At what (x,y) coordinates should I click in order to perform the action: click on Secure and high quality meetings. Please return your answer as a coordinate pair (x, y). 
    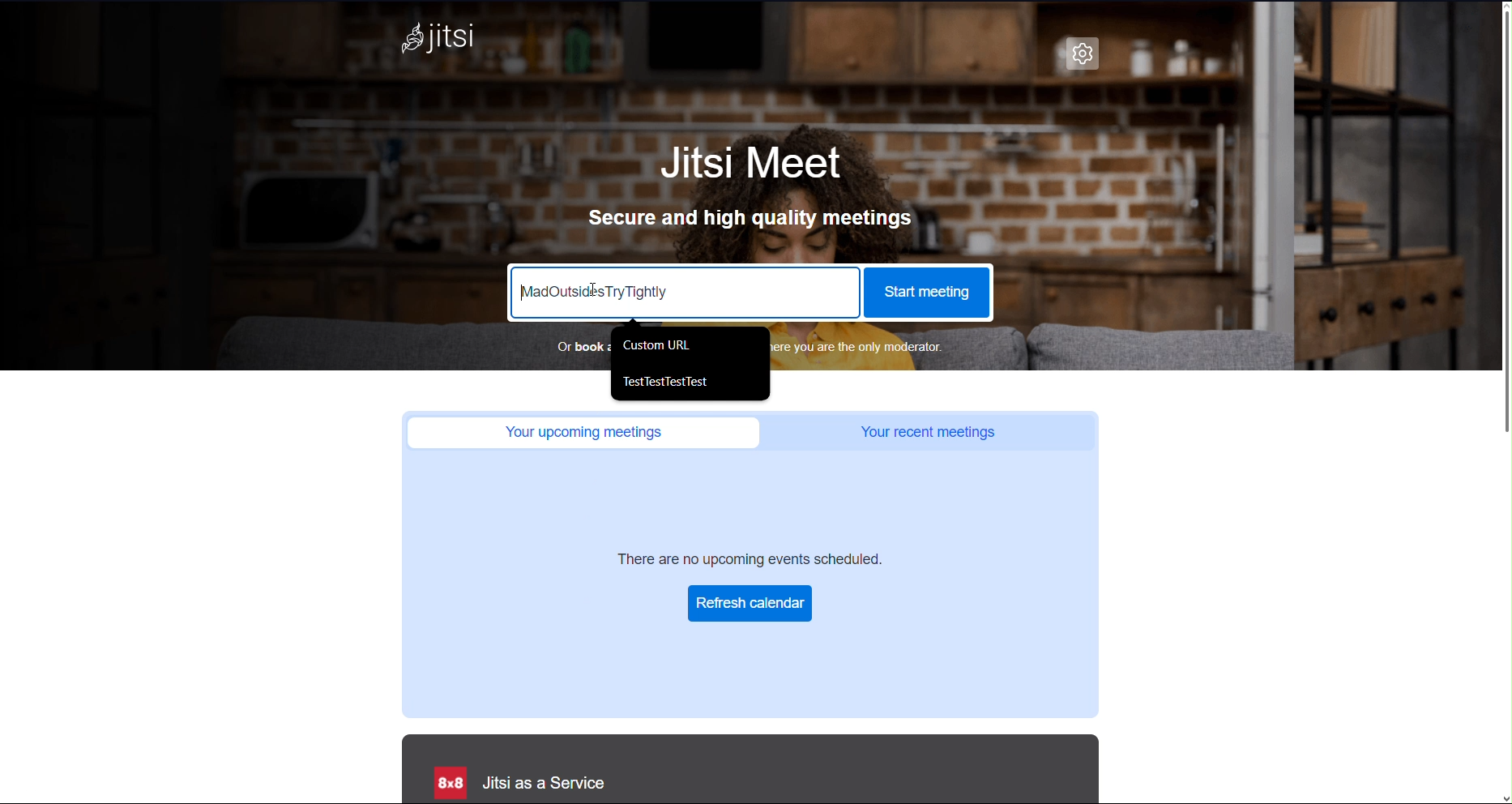
    Looking at the image, I should click on (742, 217).